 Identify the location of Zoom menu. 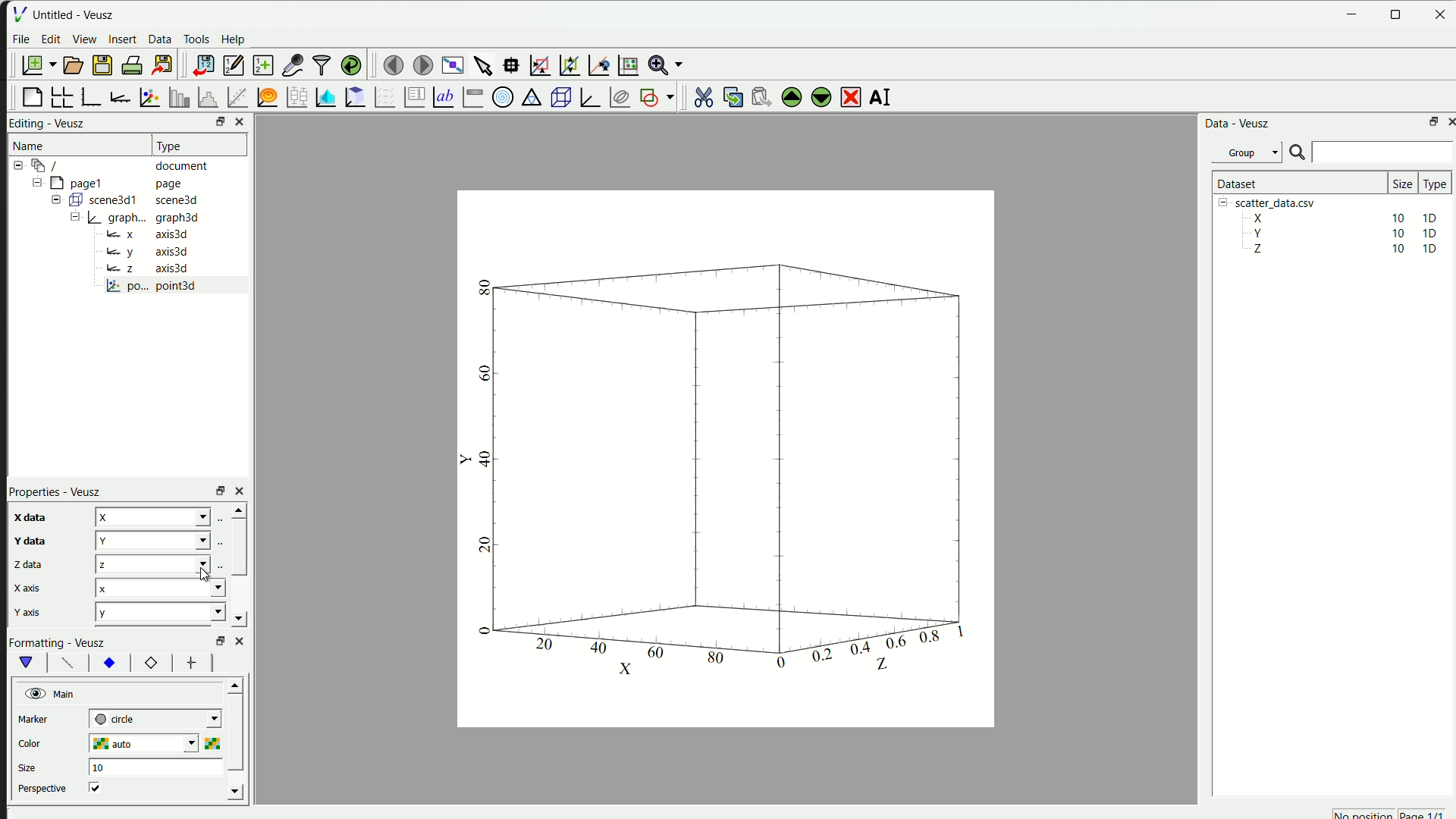
(664, 64).